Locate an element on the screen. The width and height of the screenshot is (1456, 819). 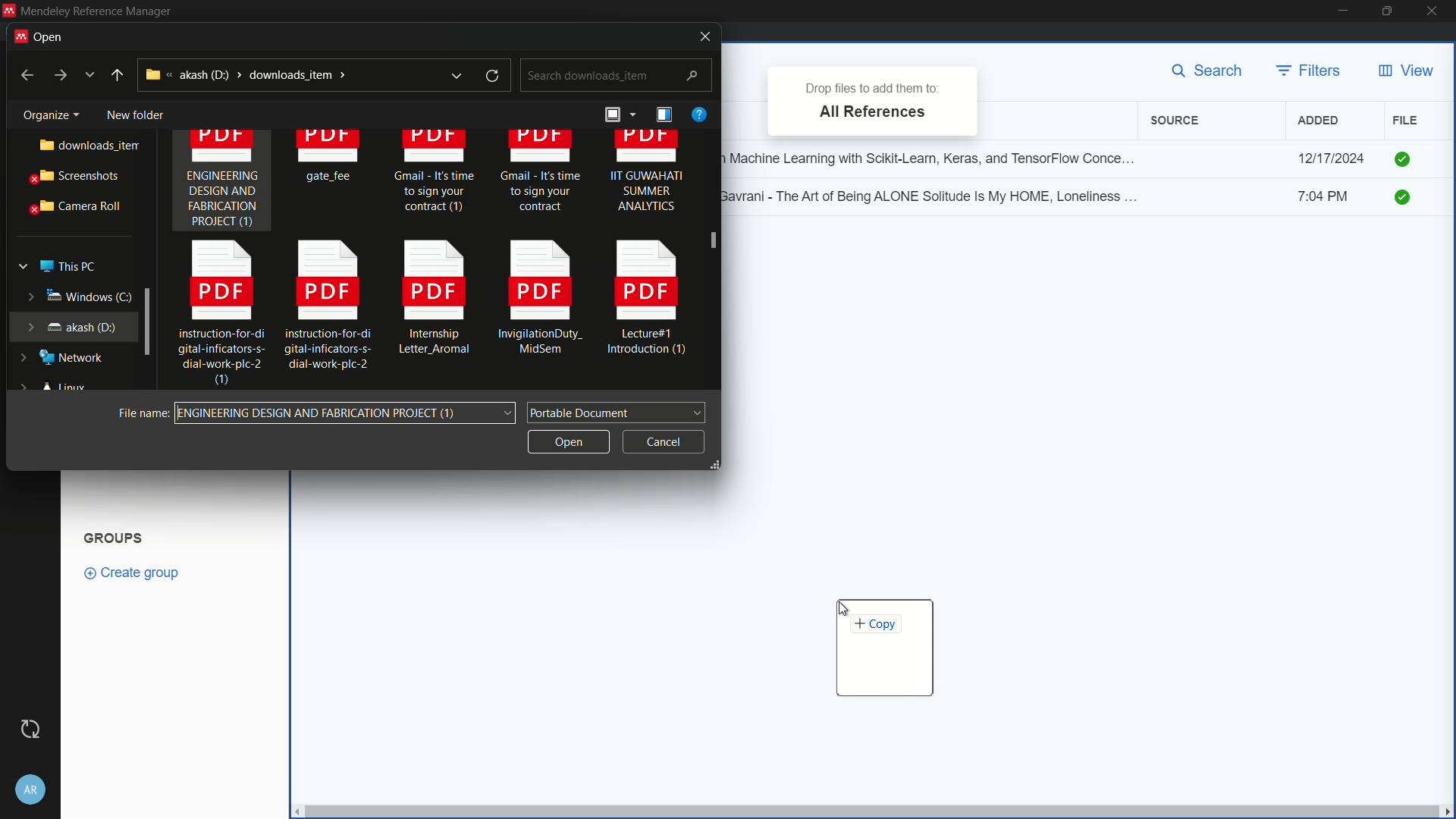
up to is located at coordinates (118, 75).